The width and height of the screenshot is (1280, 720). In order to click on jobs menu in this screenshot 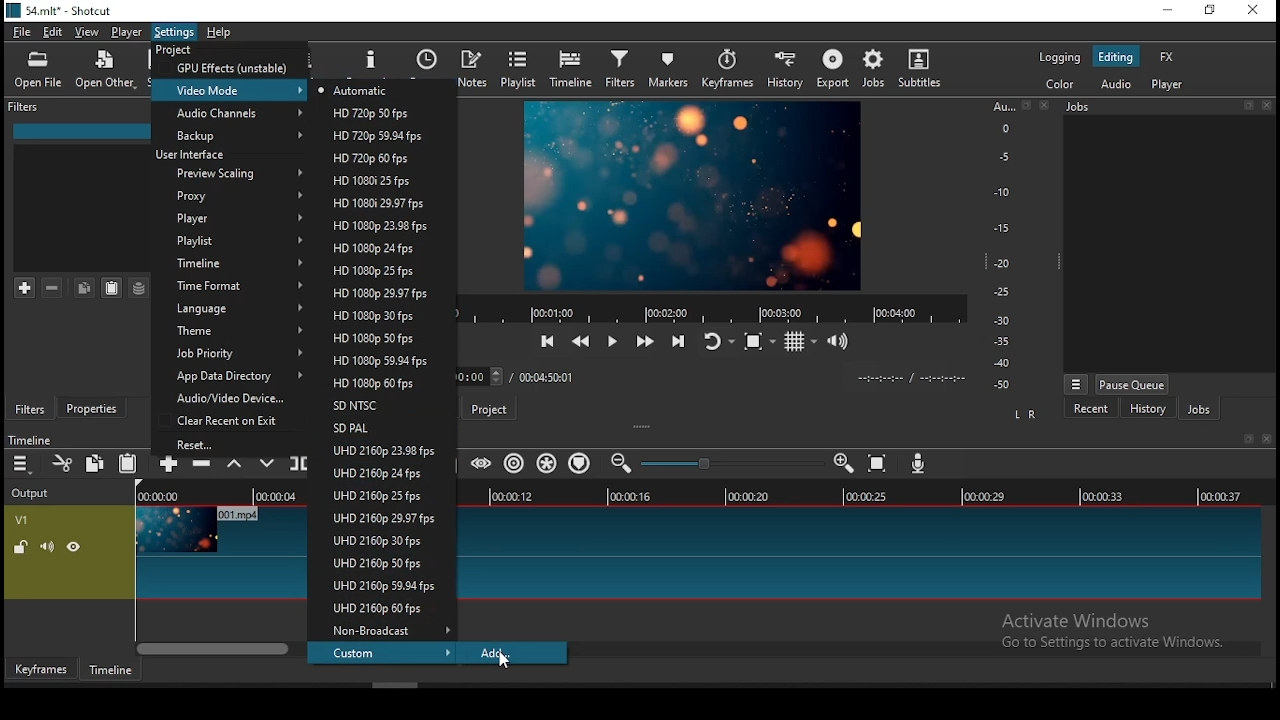, I will do `click(1077, 386)`.